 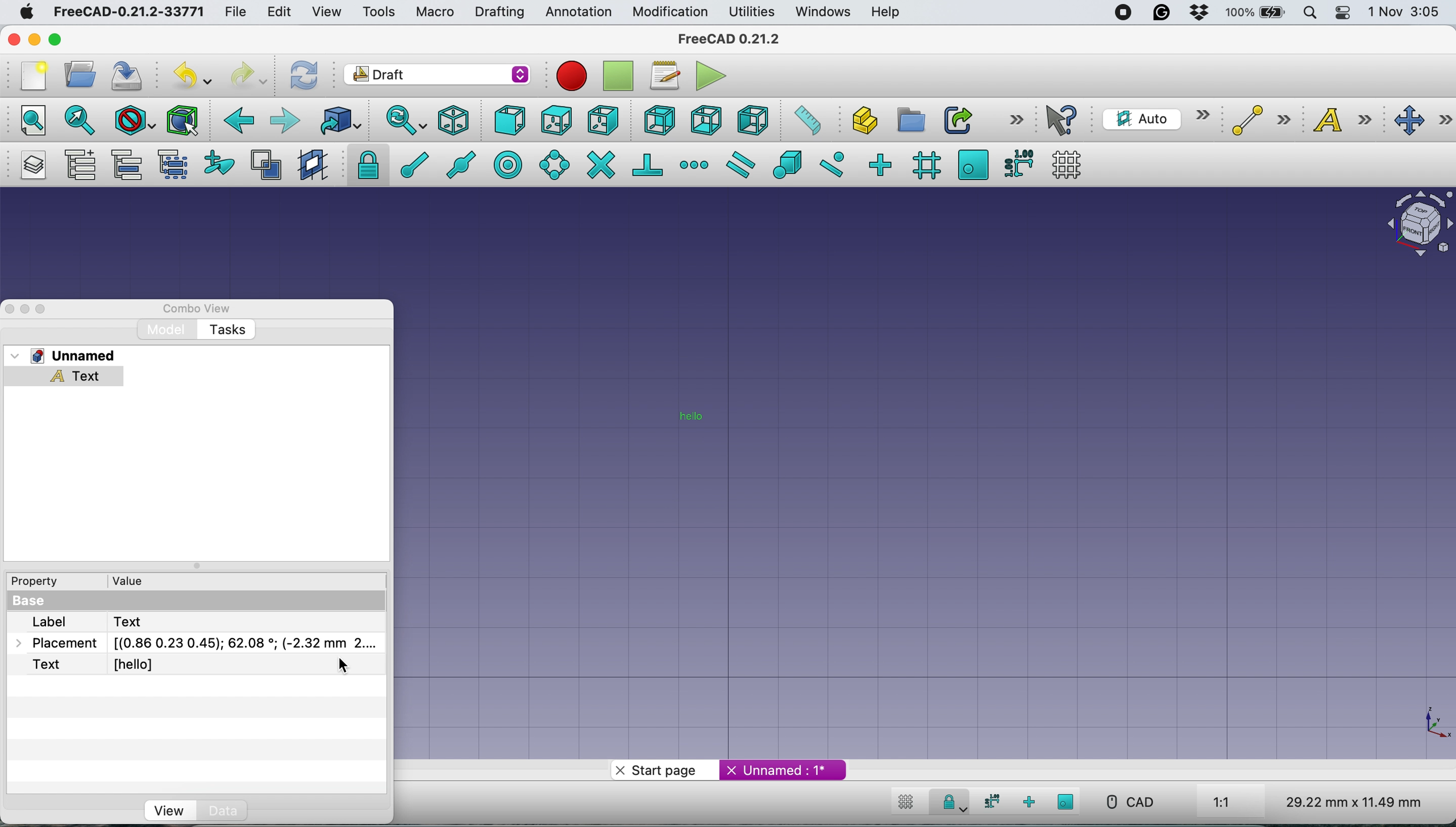 I want to click on bottom, so click(x=704, y=121).